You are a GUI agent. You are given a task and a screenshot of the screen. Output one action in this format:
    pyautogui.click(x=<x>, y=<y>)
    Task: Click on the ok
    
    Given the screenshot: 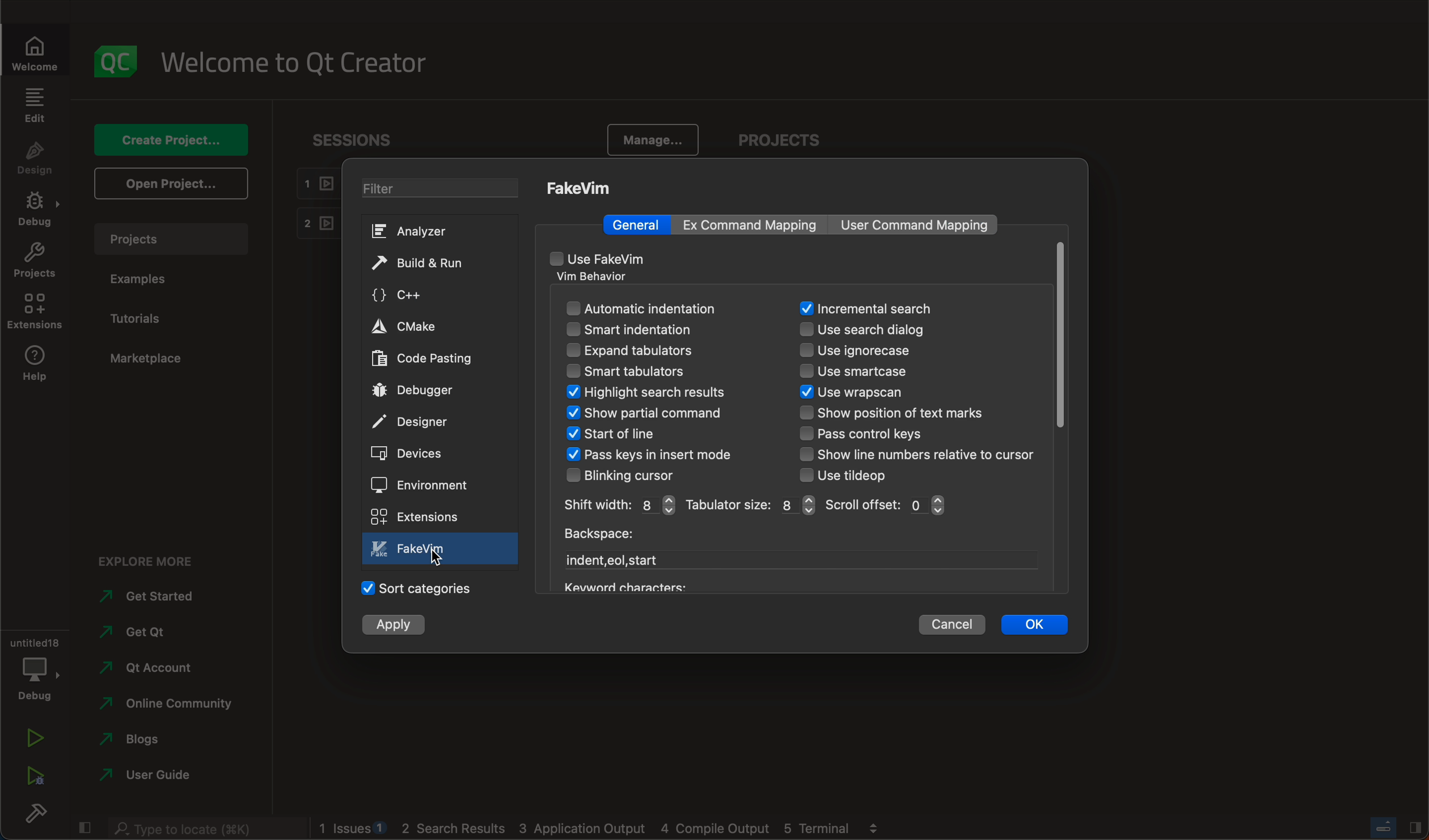 What is the action you would take?
    pyautogui.click(x=1034, y=626)
    